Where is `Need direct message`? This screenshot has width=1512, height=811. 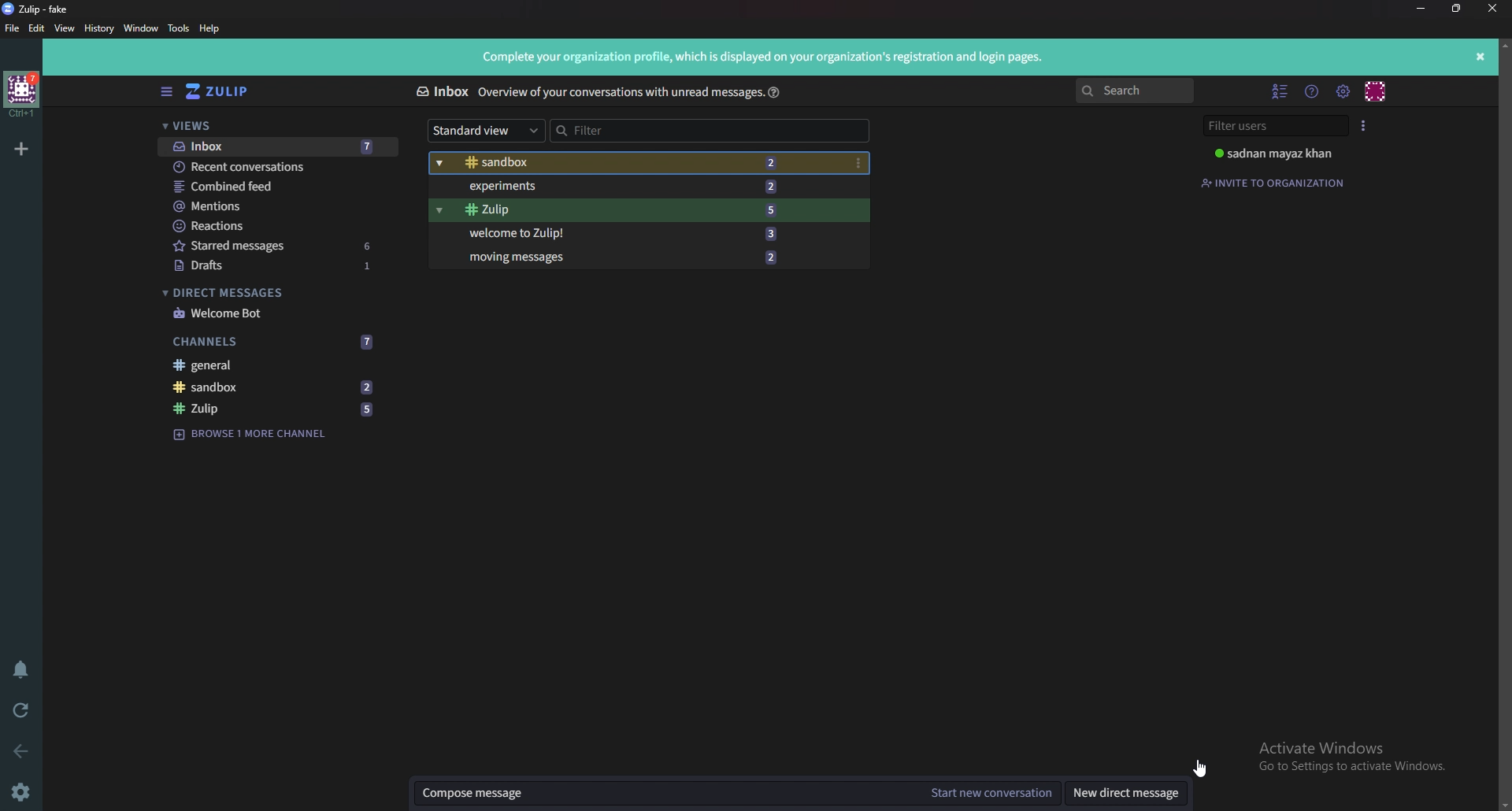 Need direct message is located at coordinates (1125, 793).